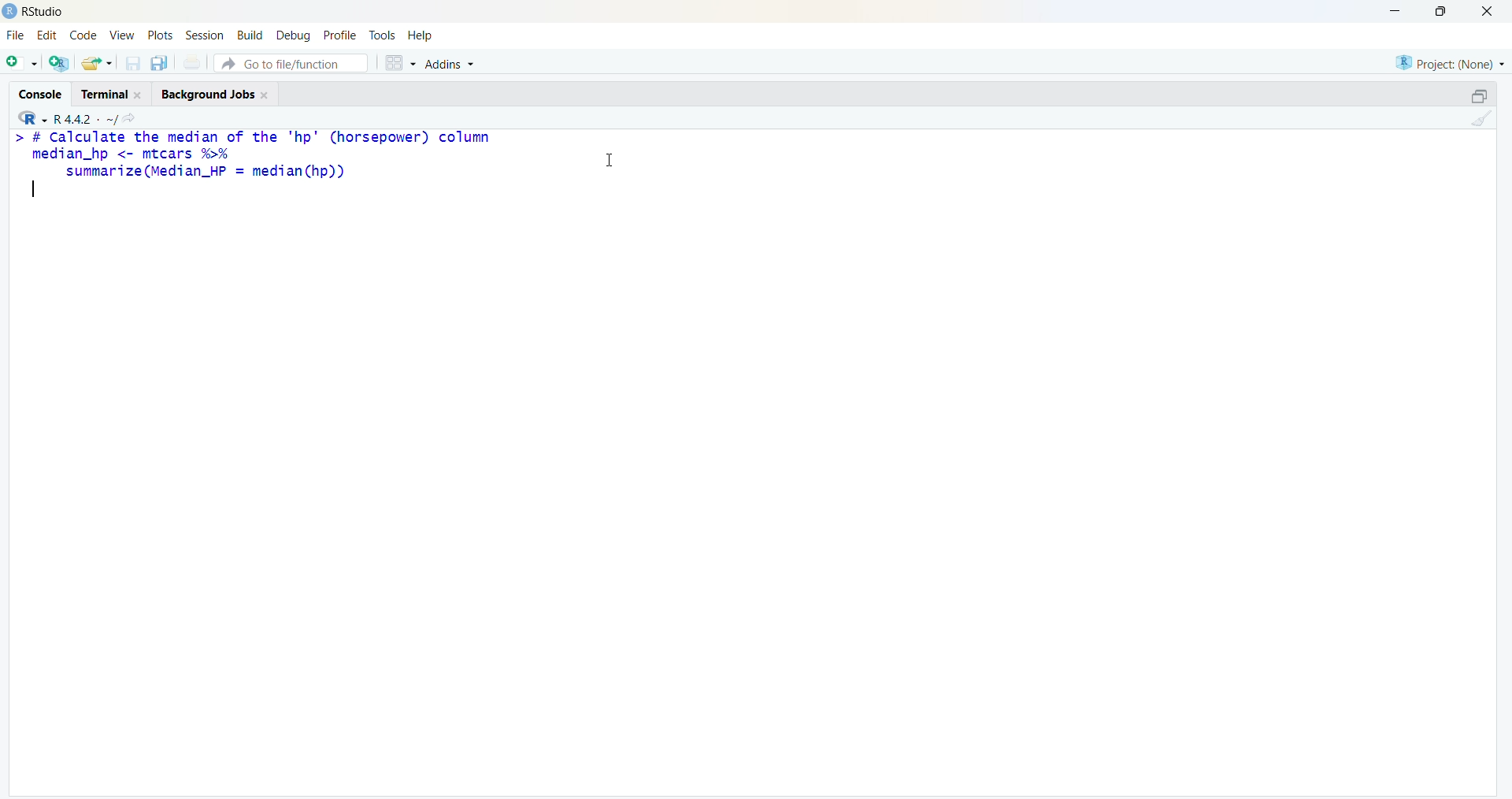 The height and width of the screenshot is (799, 1512). I want to click on Build , so click(252, 36).